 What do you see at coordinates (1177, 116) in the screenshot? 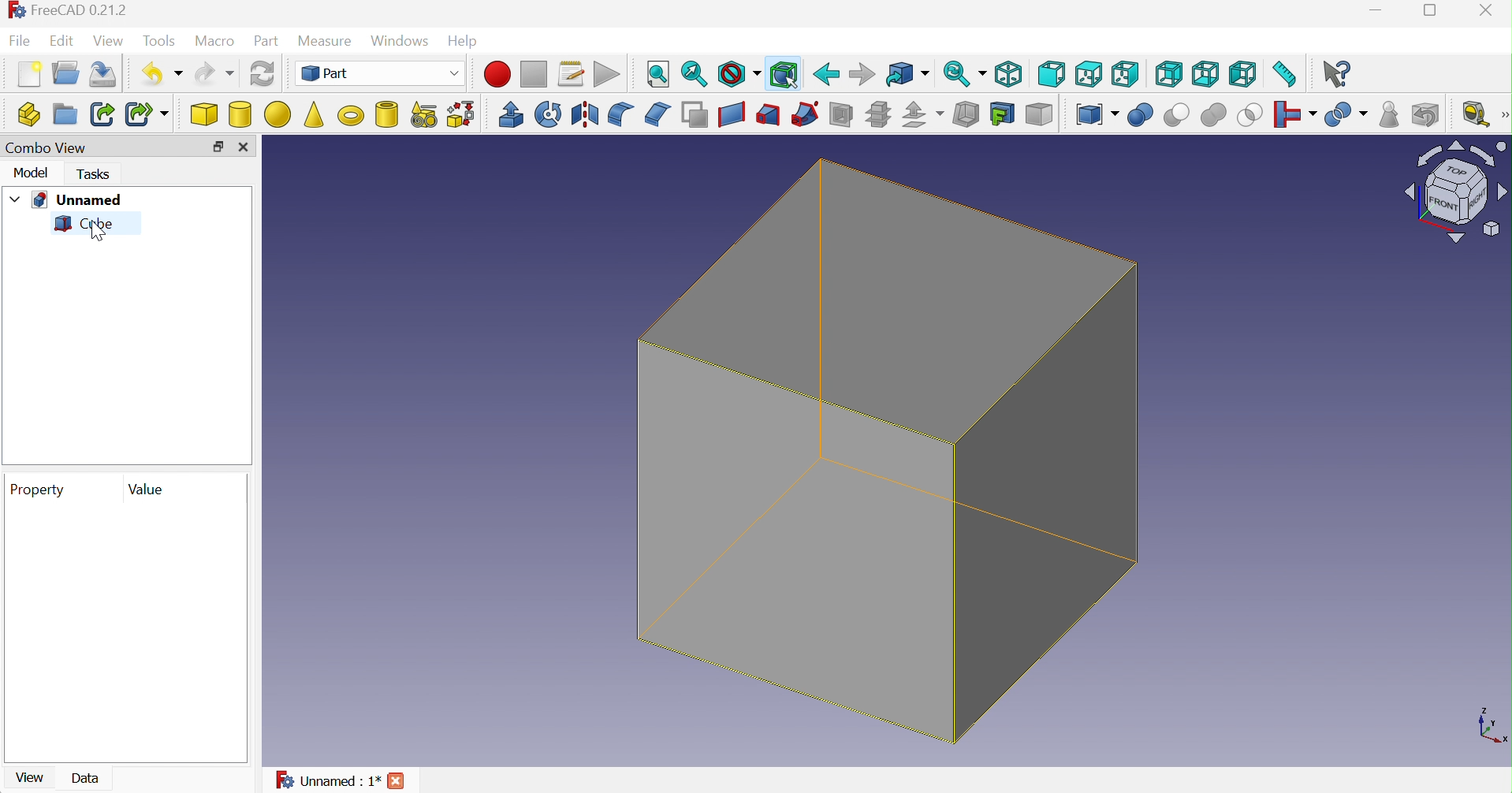
I see `Cut` at bounding box center [1177, 116].